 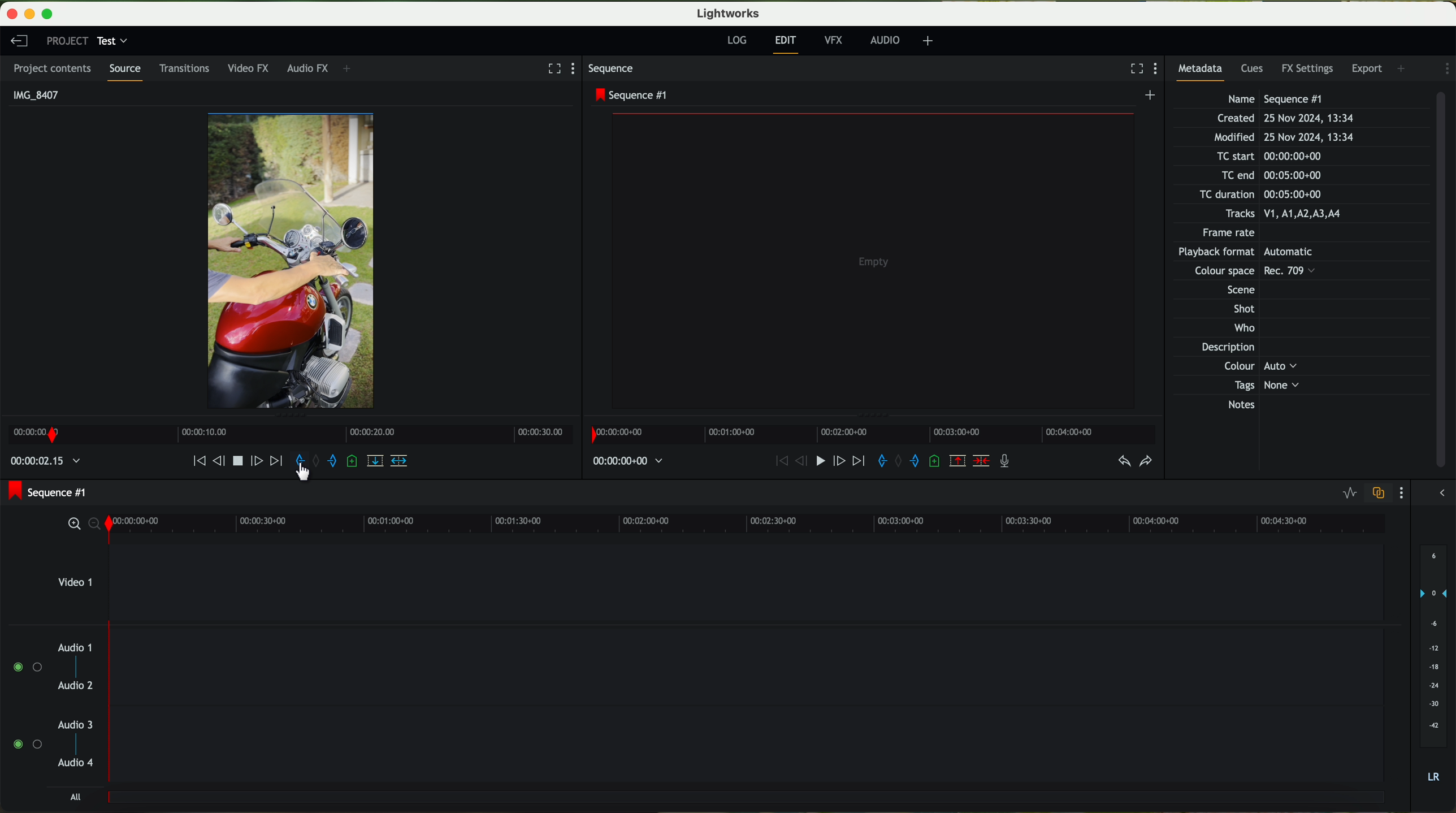 I want to click on remove the marked section, so click(x=959, y=462).